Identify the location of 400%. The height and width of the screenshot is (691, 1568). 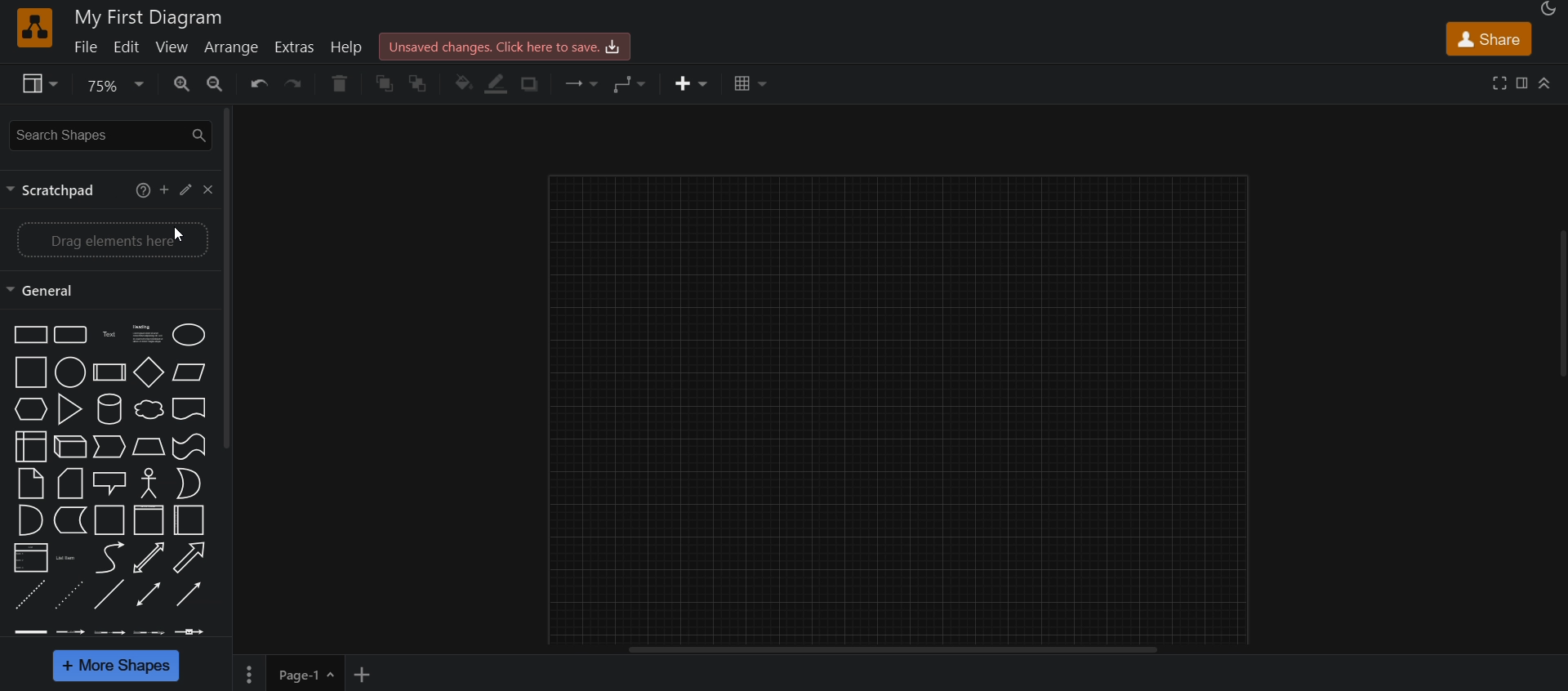
(150, 444).